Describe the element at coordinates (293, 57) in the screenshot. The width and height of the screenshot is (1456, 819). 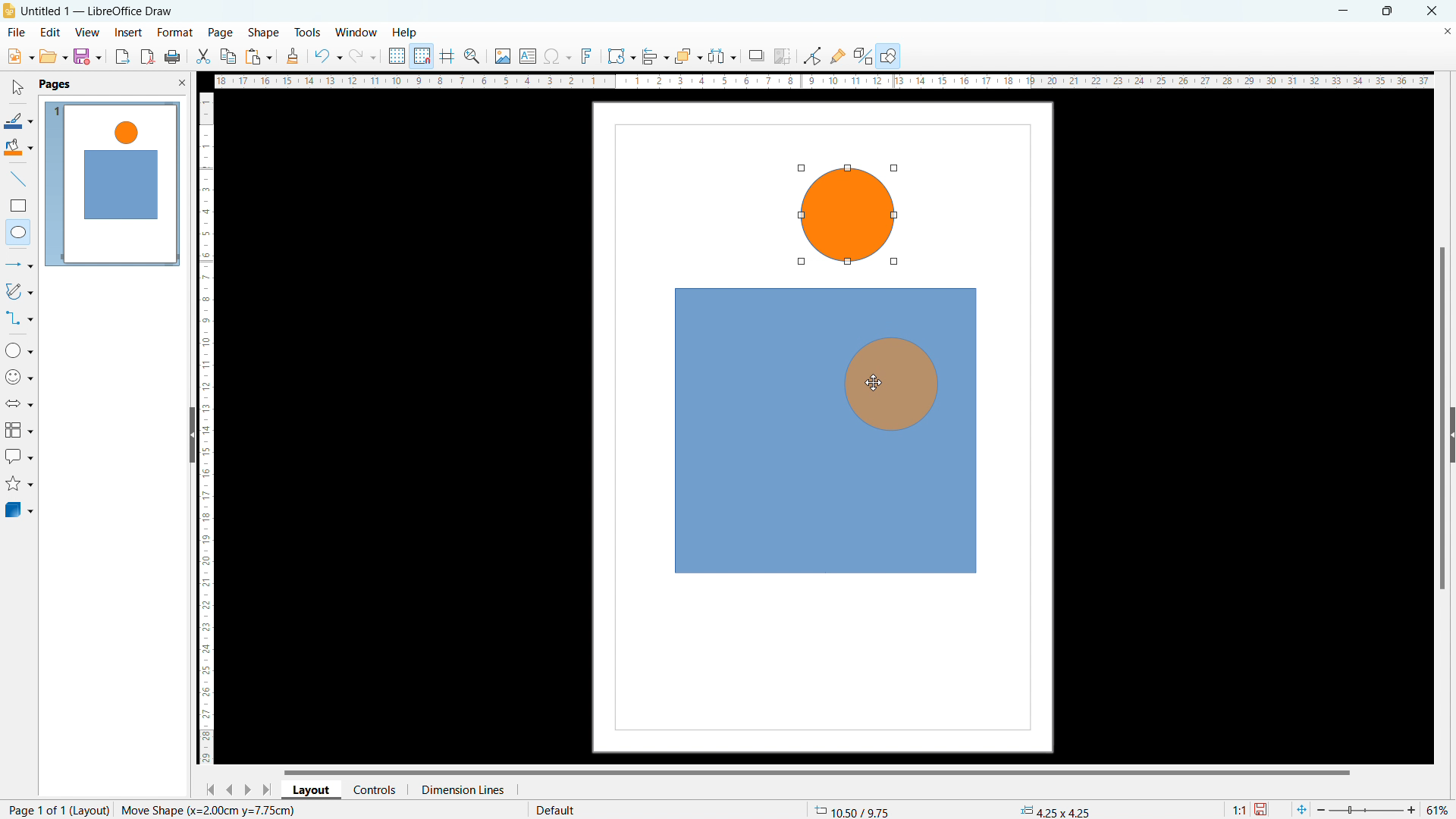
I see `clone formatting` at that location.